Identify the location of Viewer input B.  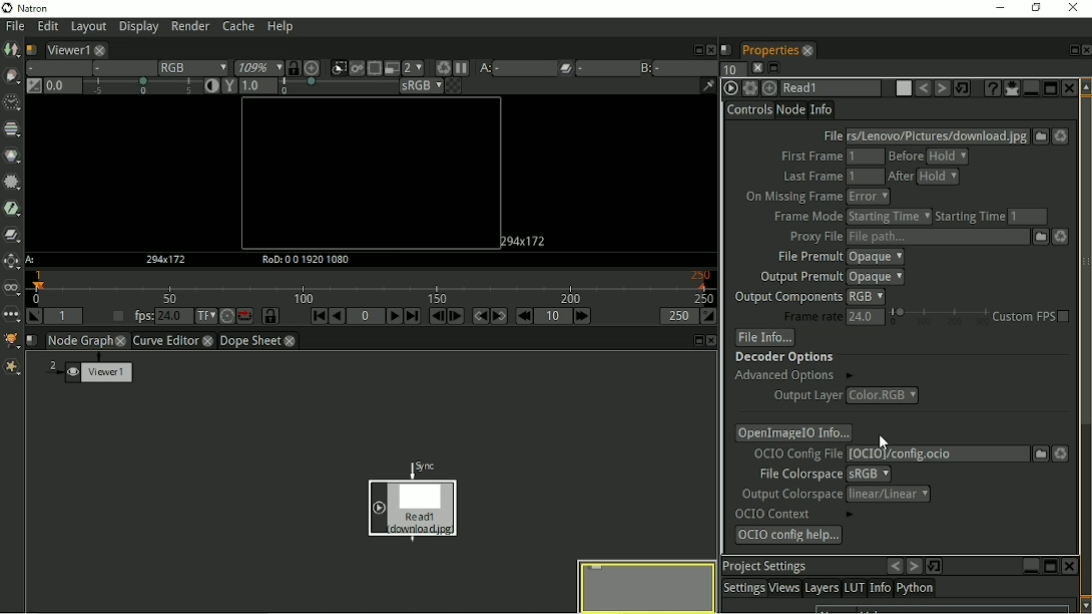
(644, 67).